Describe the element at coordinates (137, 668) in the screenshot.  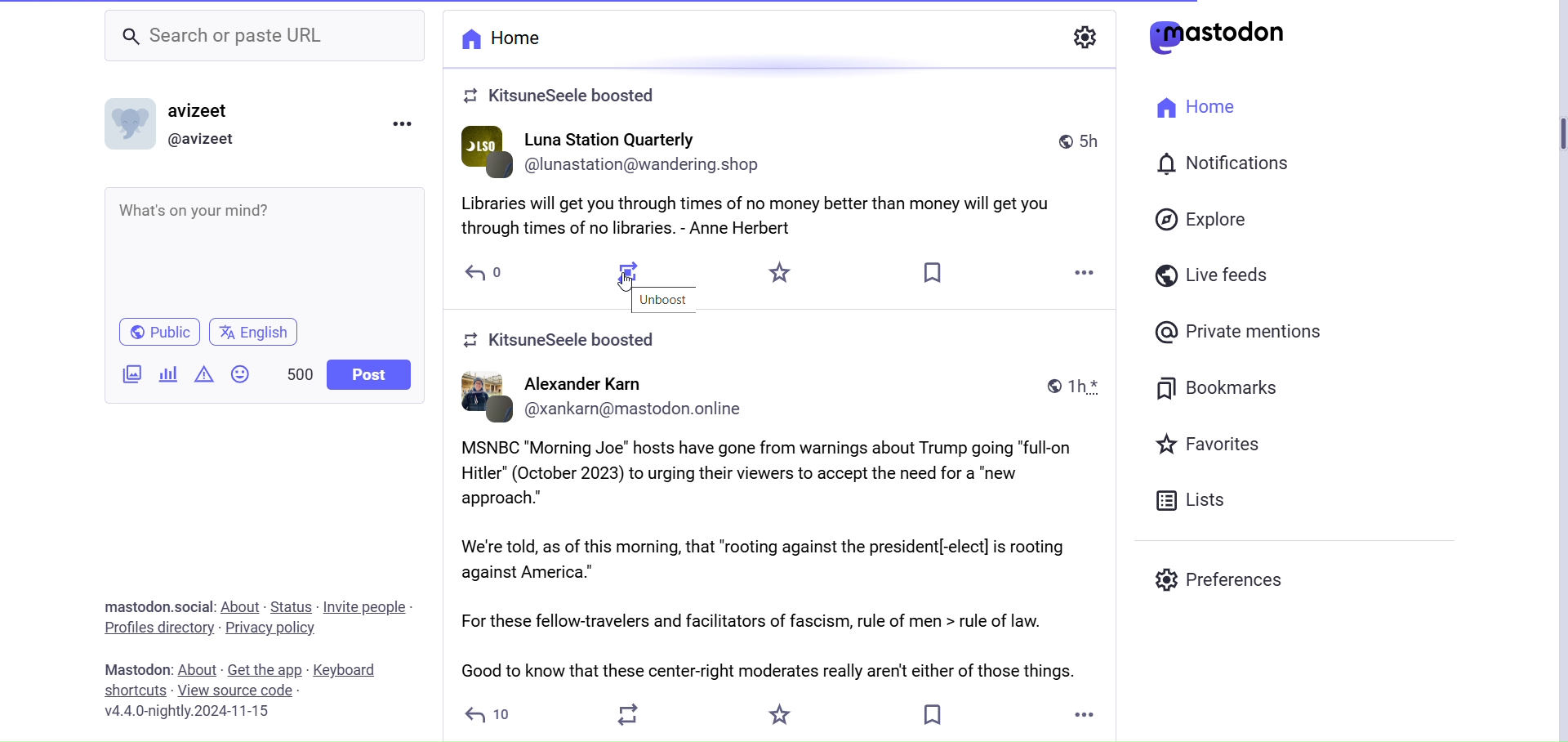
I see `Mastodon` at that location.